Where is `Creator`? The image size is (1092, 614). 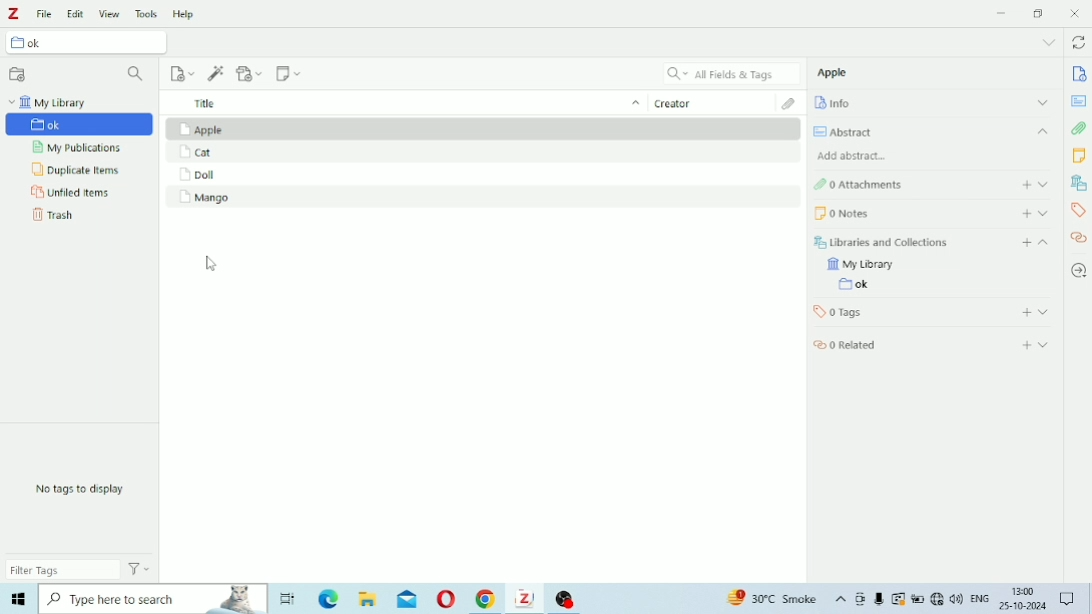
Creator is located at coordinates (715, 101).